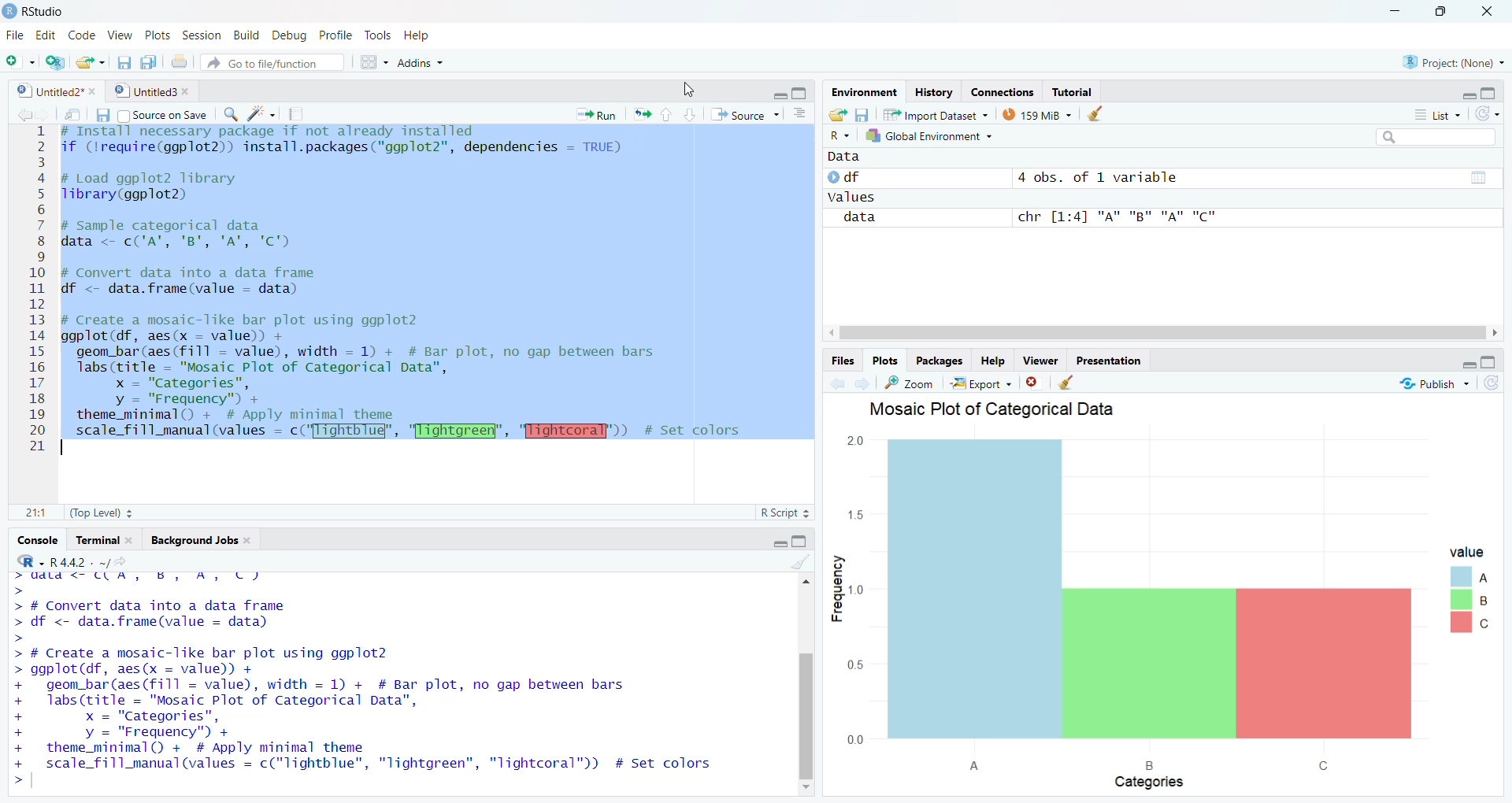 This screenshot has width=1512, height=803. Describe the element at coordinates (800, 92) in the screenshot. I see `Maximize` at that location.